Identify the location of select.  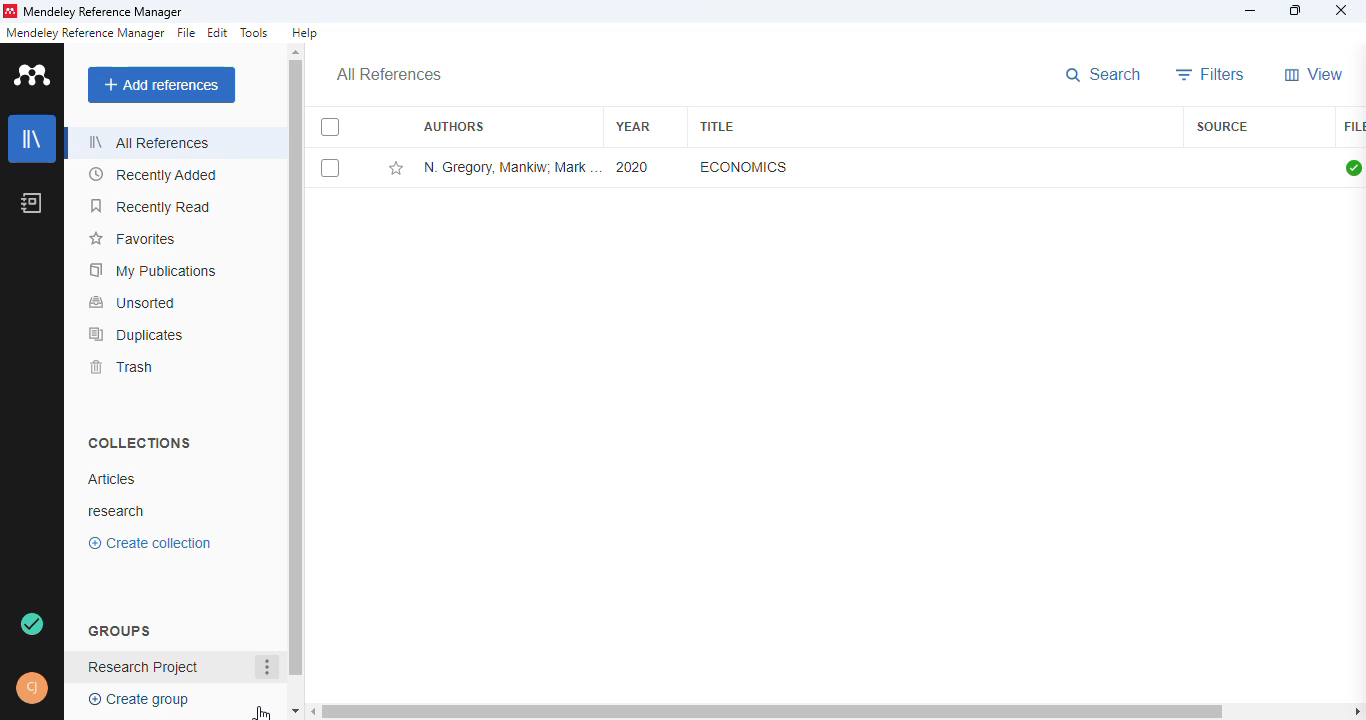
(331, 127).